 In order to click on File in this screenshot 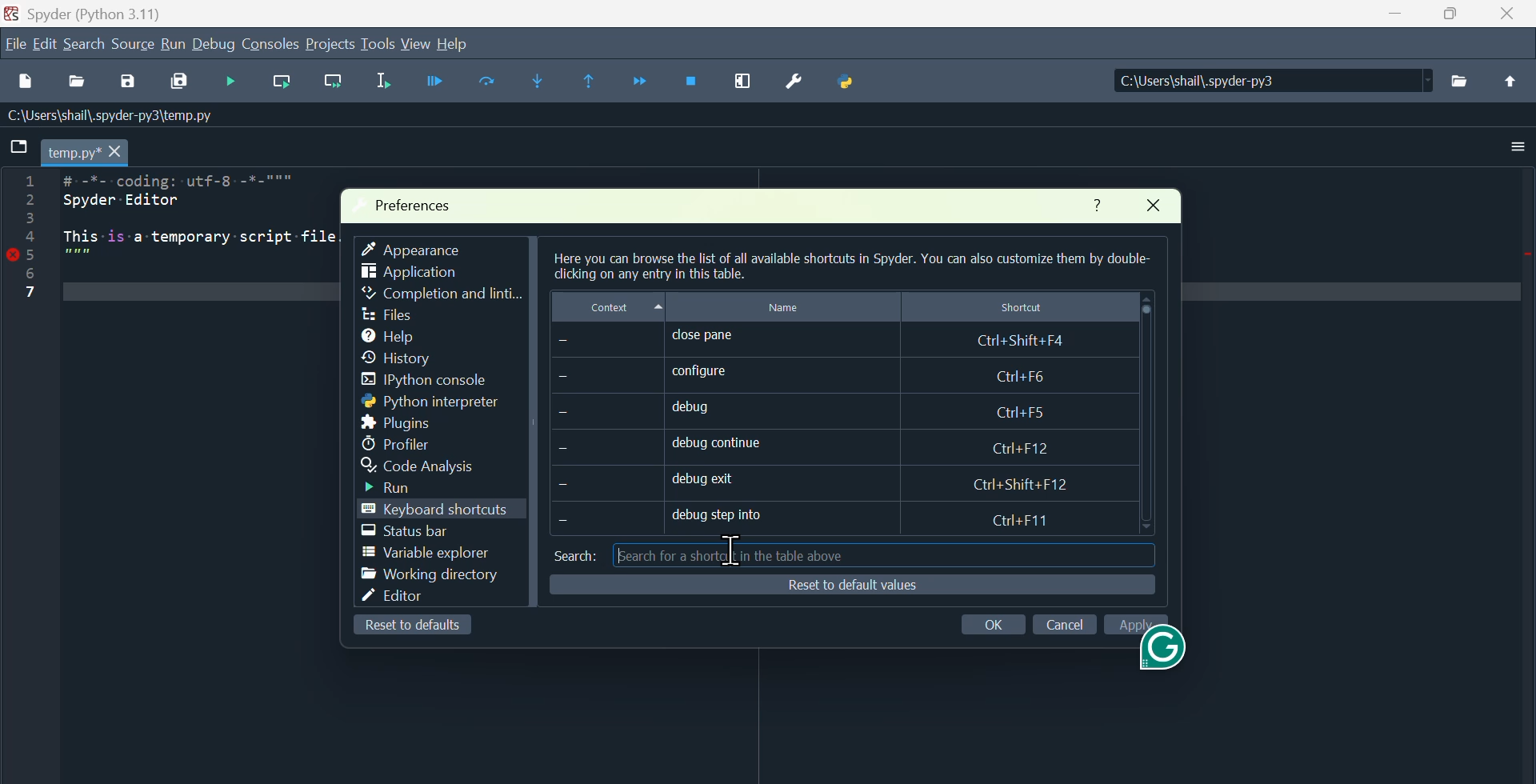, I will do `click(14, 42)`.